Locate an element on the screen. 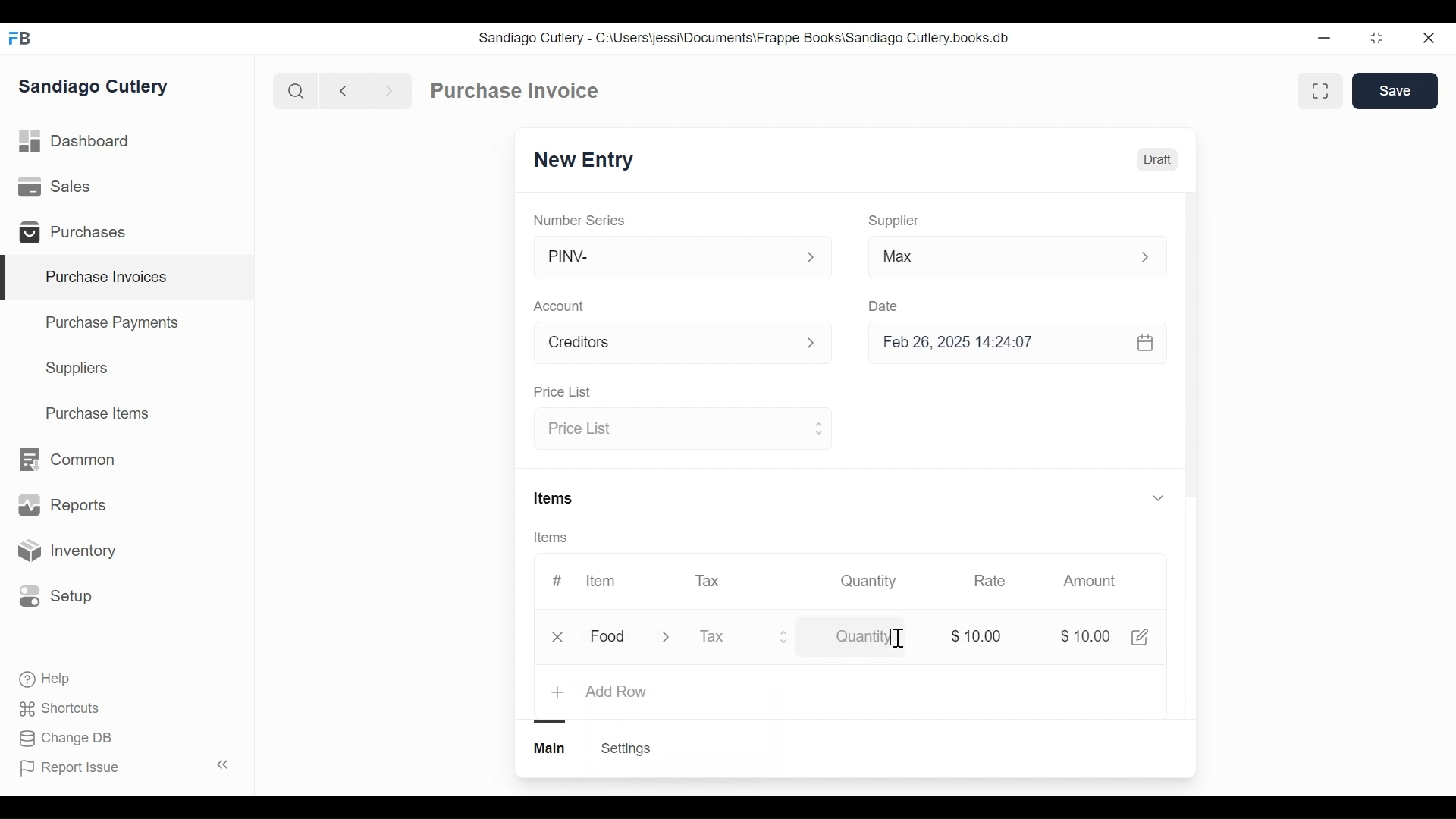 This screenshot has width=1456, height=819. restore is located at coordinates (1375, 39).